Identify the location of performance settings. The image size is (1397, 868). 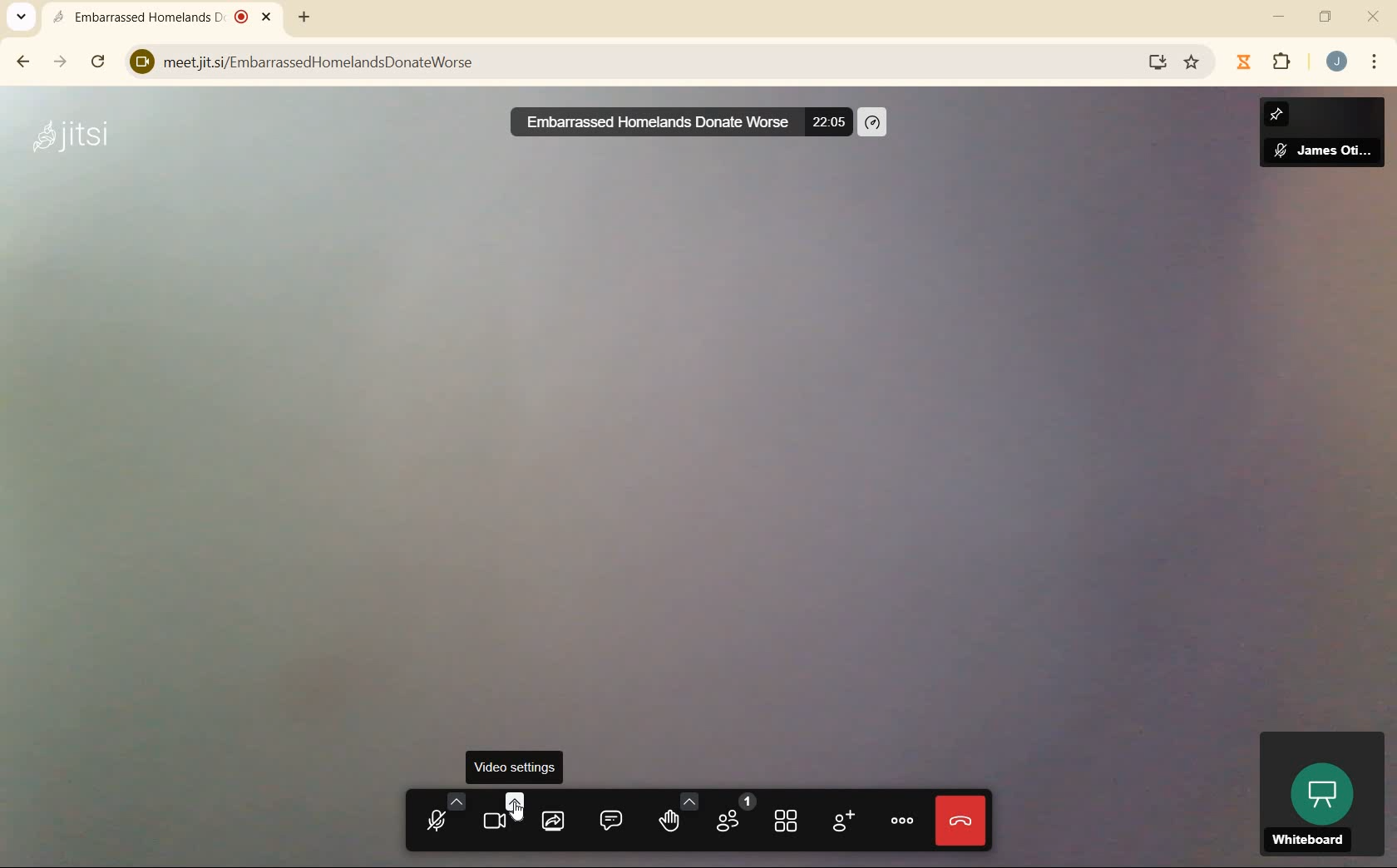
(874, 121).